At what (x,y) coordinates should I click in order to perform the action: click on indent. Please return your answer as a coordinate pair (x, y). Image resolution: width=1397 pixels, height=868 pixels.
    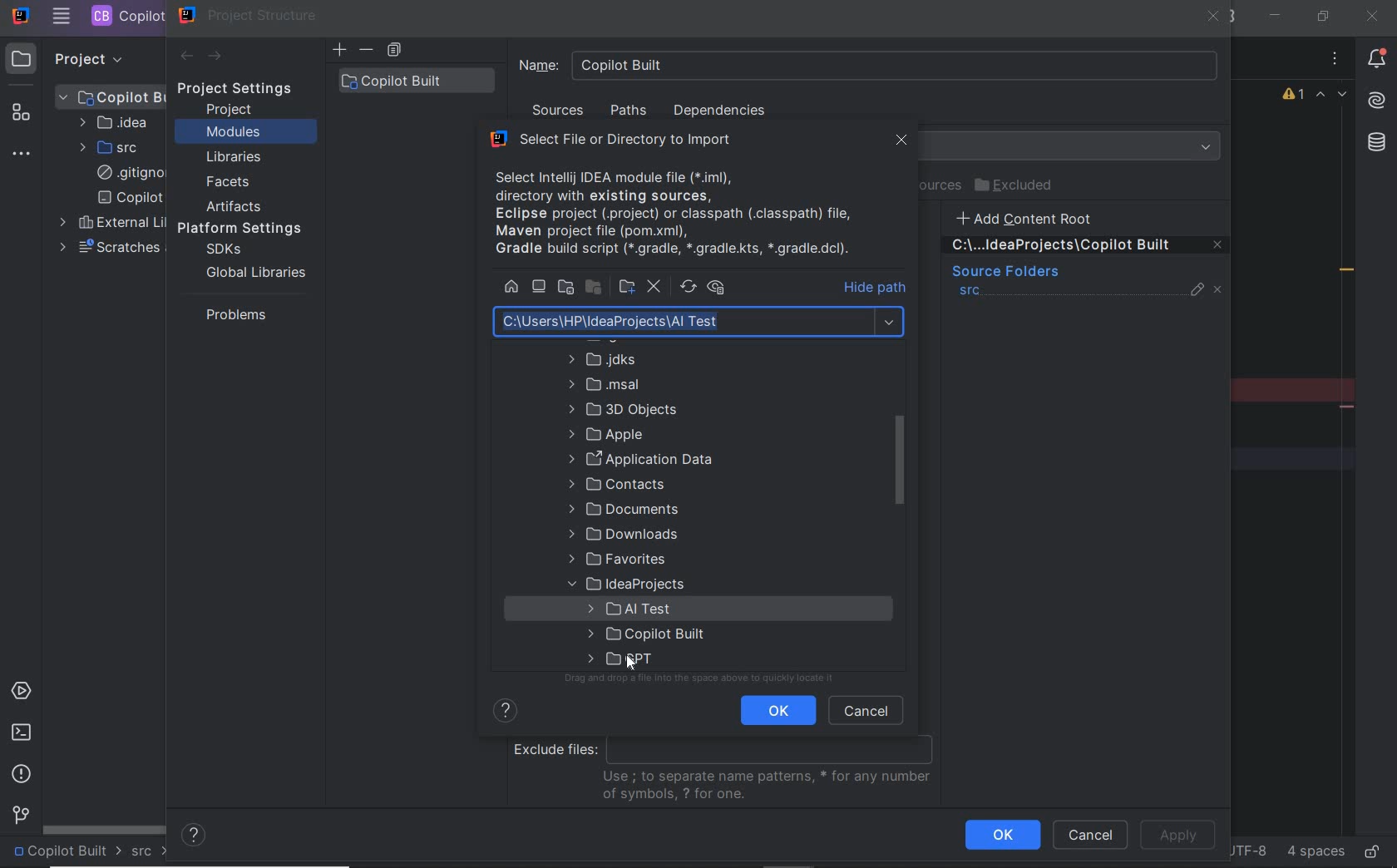
    Looking at the image, I should click on (1314, 852).